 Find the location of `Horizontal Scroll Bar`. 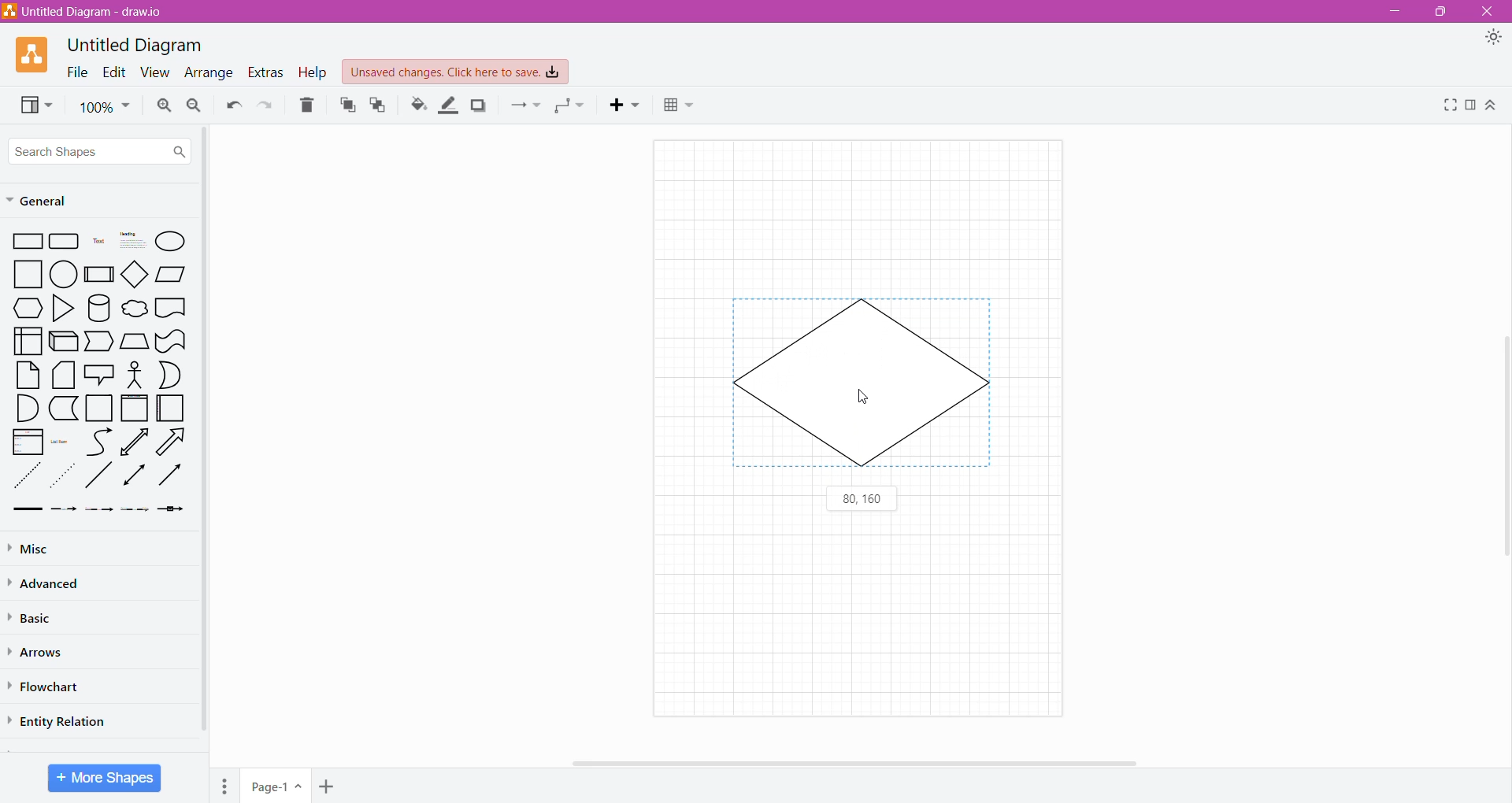

Horizontal Scroll Bar is located at coordinates (858, 761).